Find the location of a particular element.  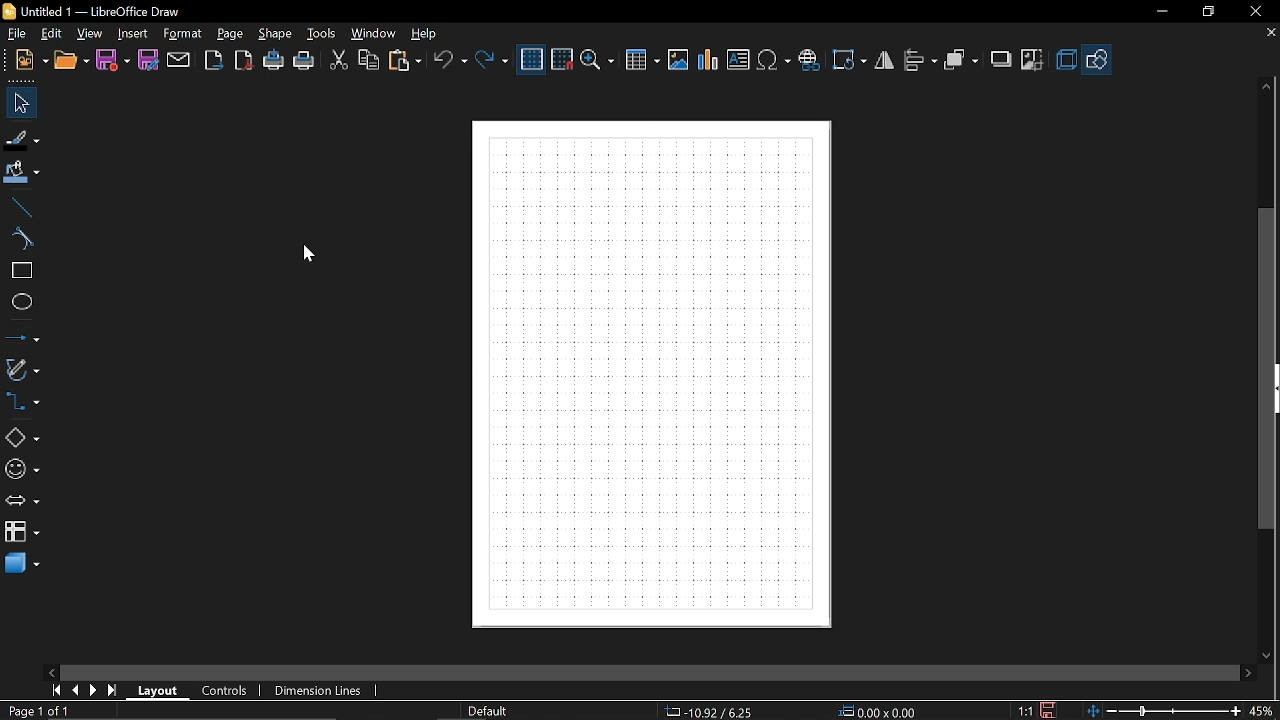

Insert symbol is located at coordinates (774, 59).